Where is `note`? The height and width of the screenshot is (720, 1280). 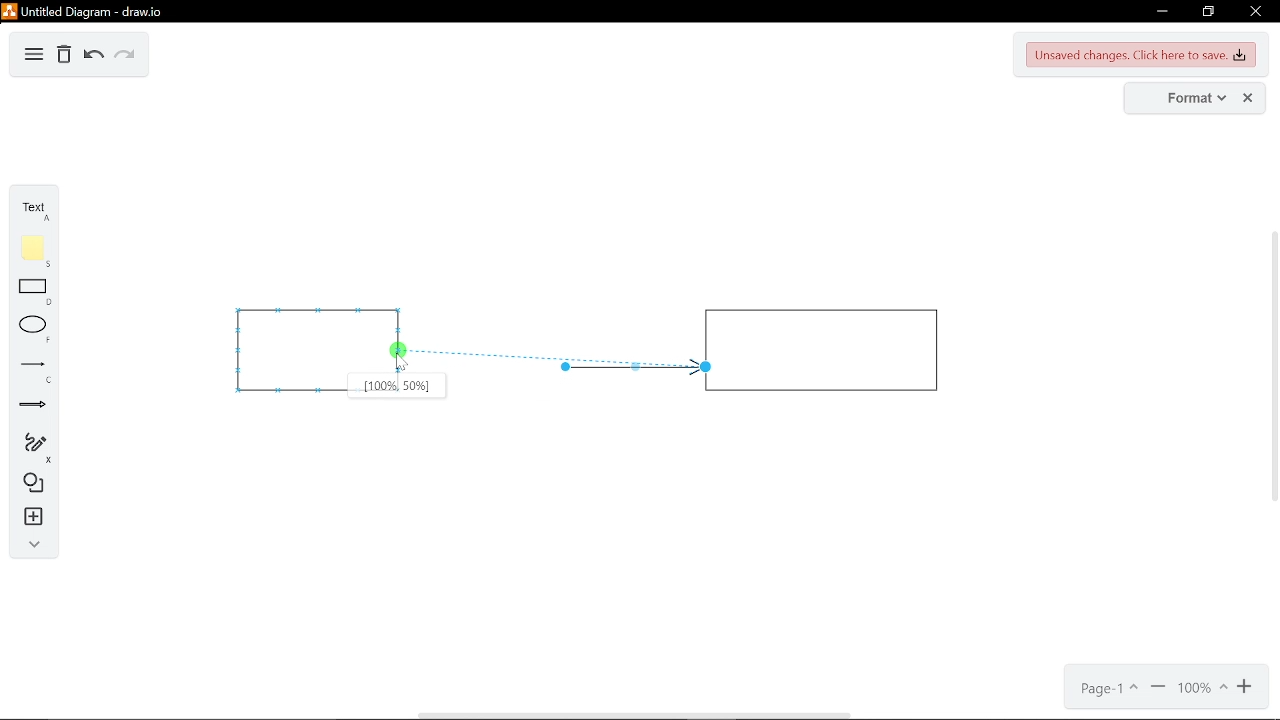
note is located at coordinates (32, 250).